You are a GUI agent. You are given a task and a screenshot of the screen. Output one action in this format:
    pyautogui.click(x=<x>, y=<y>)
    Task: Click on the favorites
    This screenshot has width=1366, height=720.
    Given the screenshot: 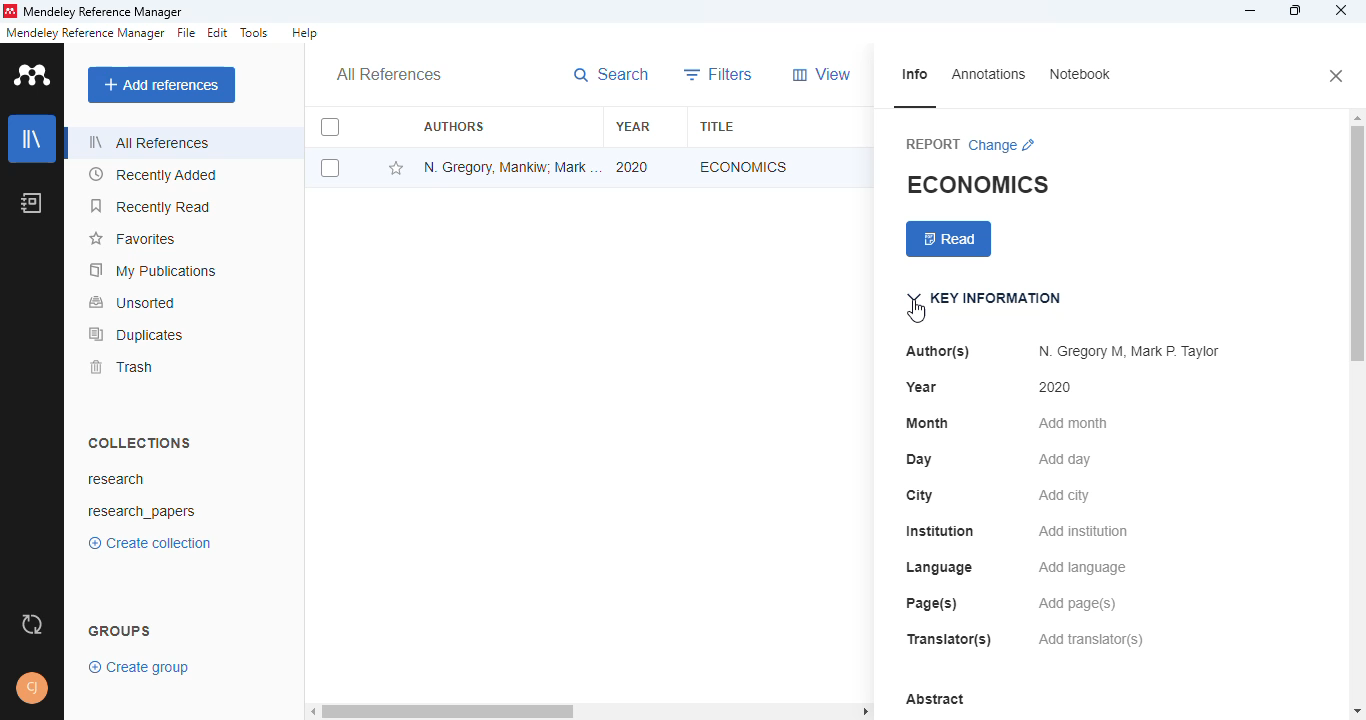 What is the action you would take?
    pyautogui.click(x=131, y=240)
    